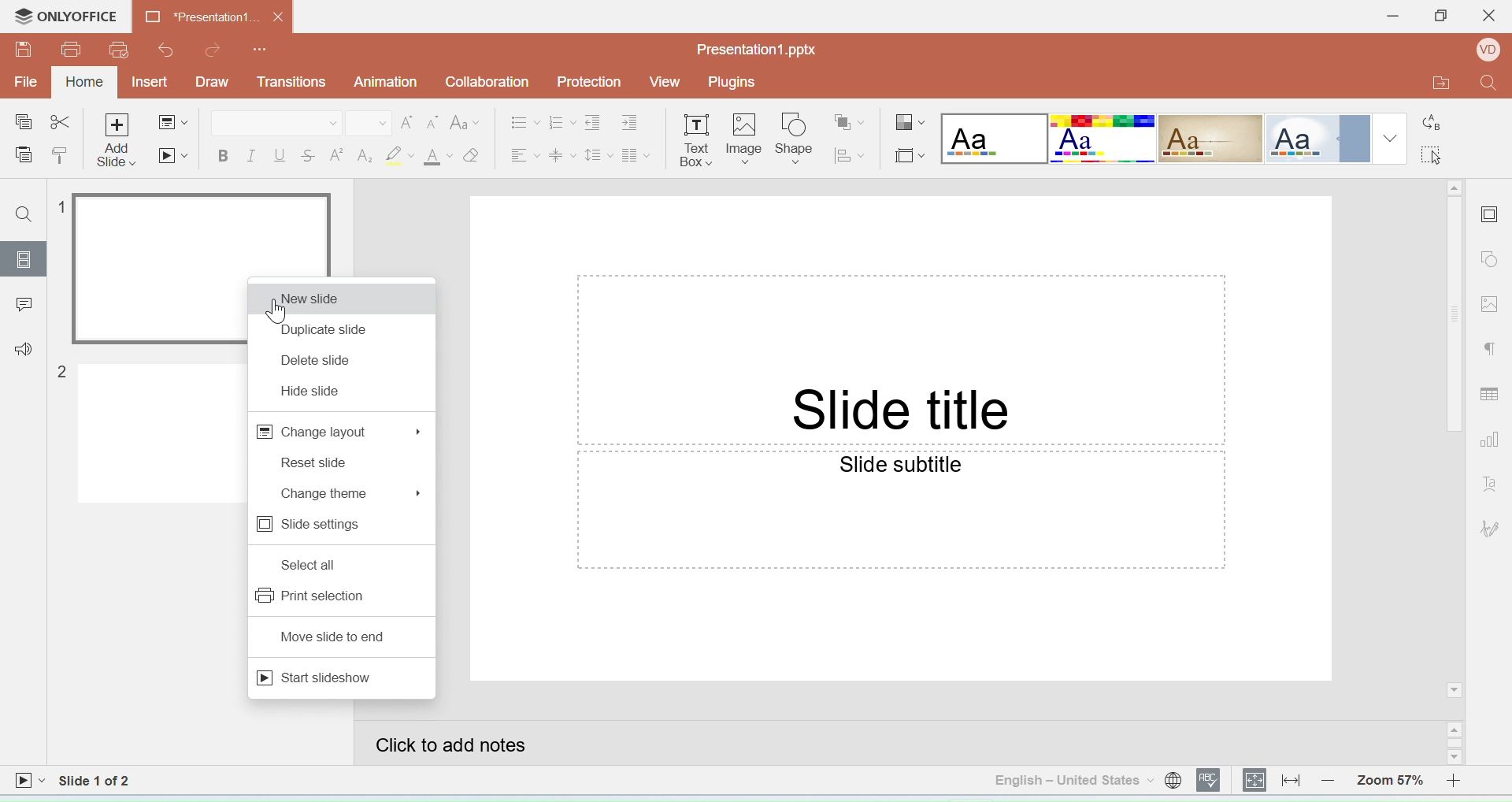  Describe the element at coordinates (86, 81) in the screenshot. I see `Home` at that location.